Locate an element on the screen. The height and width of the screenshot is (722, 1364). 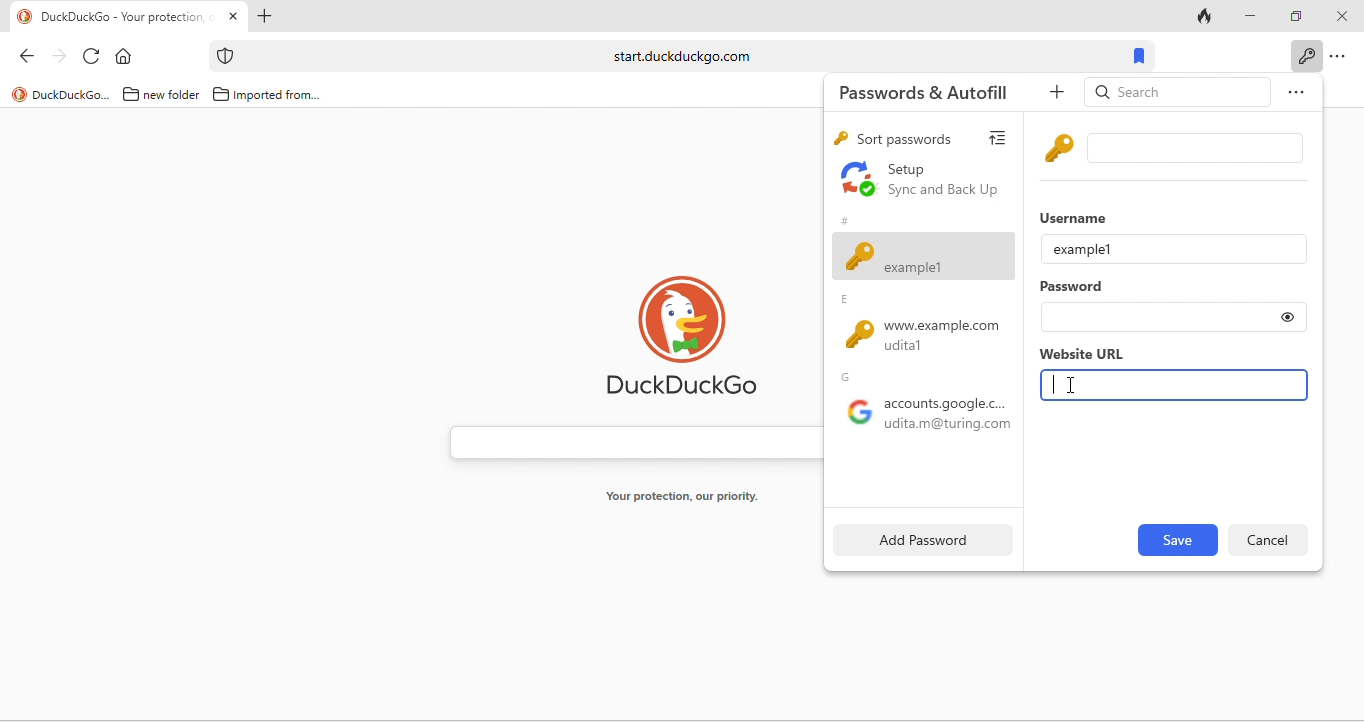
DuckDuckGo - Your protection is located at coordinates (129, 17).